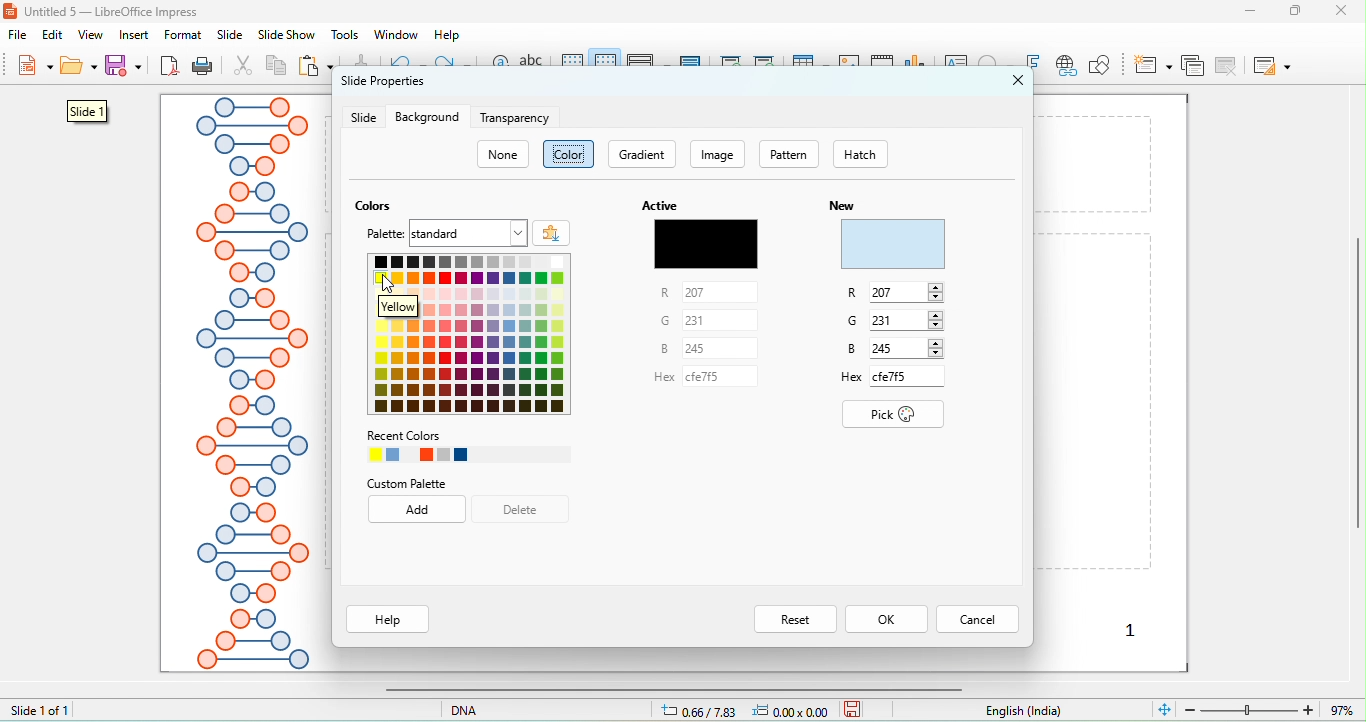 The width and height of the screenshot is (1366, 722). What do you see at coordinates (896, 415) in the screenshot?
I see `pick` at bounding box center [896, 415].